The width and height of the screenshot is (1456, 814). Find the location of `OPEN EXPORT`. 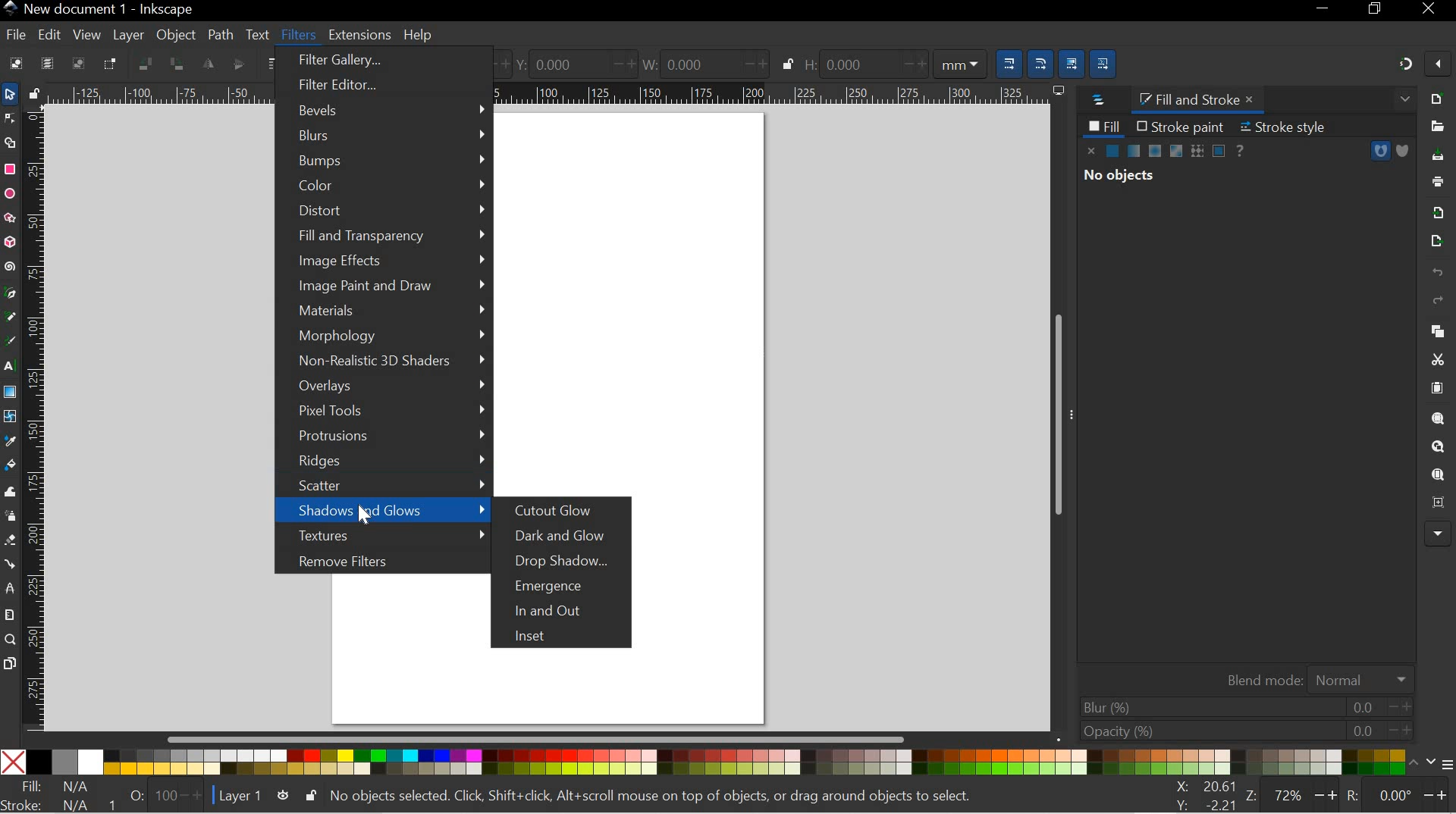

OPEN EXPORT is located at coordinates (1434, 242).